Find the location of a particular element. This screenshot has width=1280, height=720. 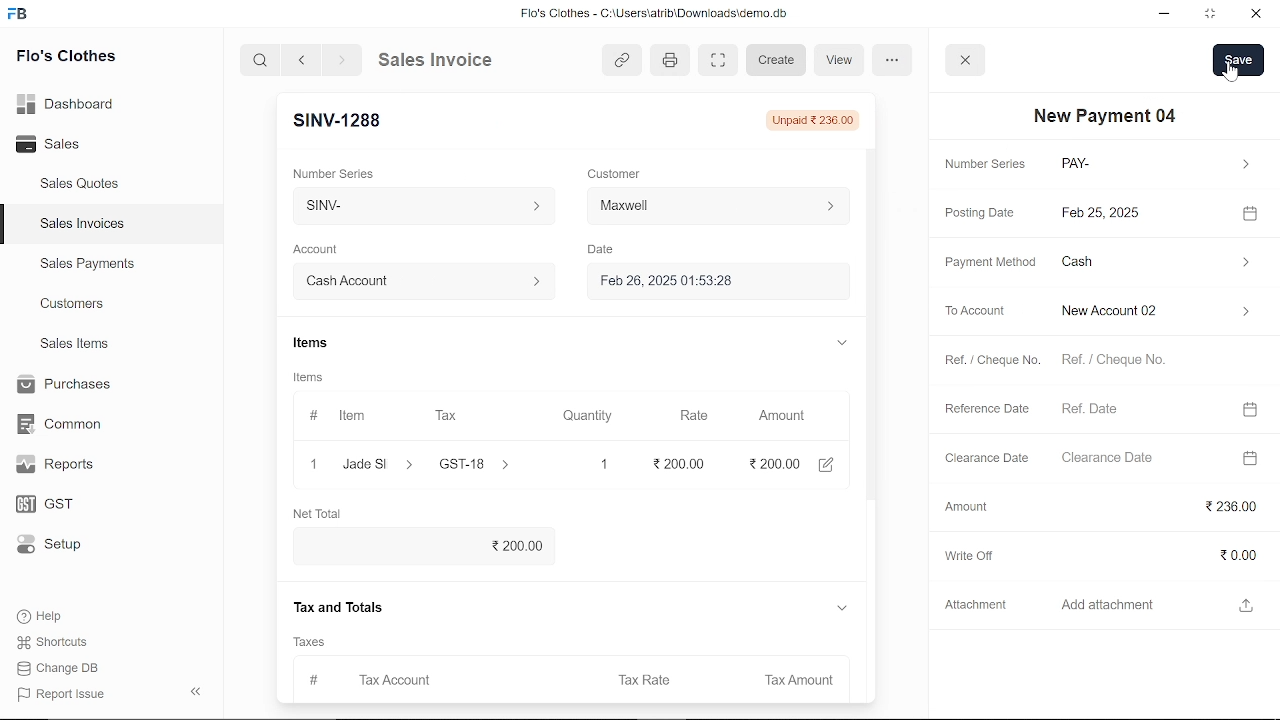

To Account is located at coordinates (979, 311).